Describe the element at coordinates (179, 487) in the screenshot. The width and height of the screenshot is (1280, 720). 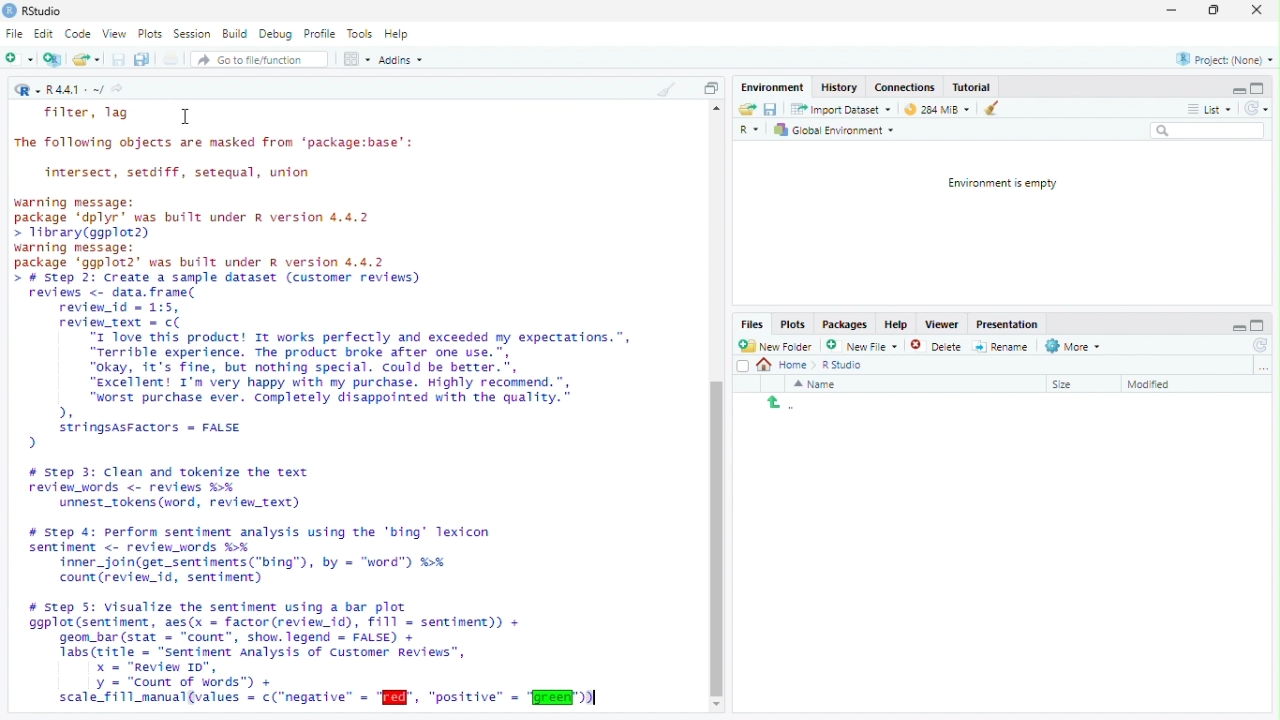
I see `# Step 3: Clean and tokenize the text
review words <- reviews %>%
unnest_tokens (word, review_text)` at that location.